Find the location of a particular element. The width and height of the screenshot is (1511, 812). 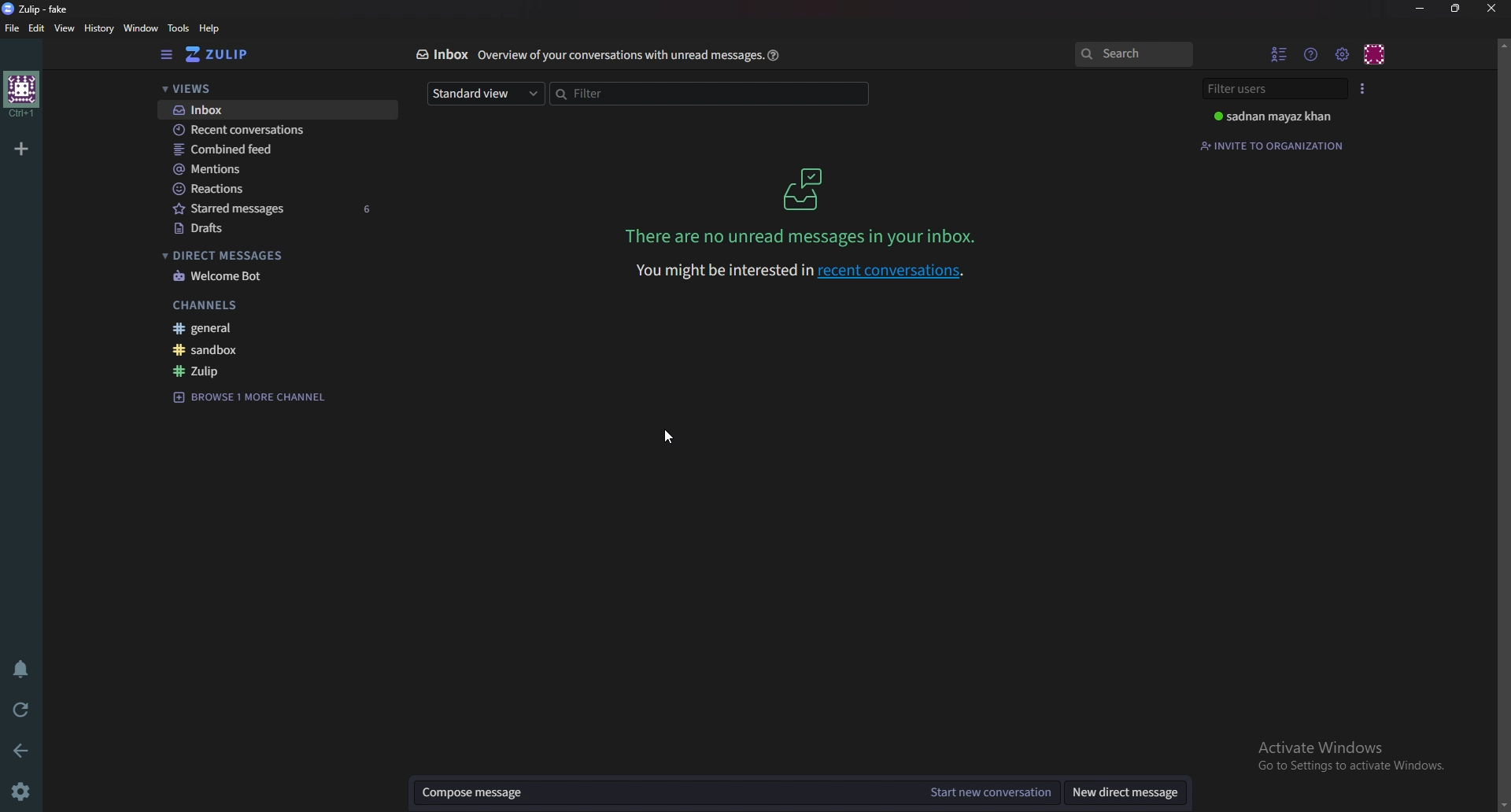

Home view is located at coordinates (227, 55).